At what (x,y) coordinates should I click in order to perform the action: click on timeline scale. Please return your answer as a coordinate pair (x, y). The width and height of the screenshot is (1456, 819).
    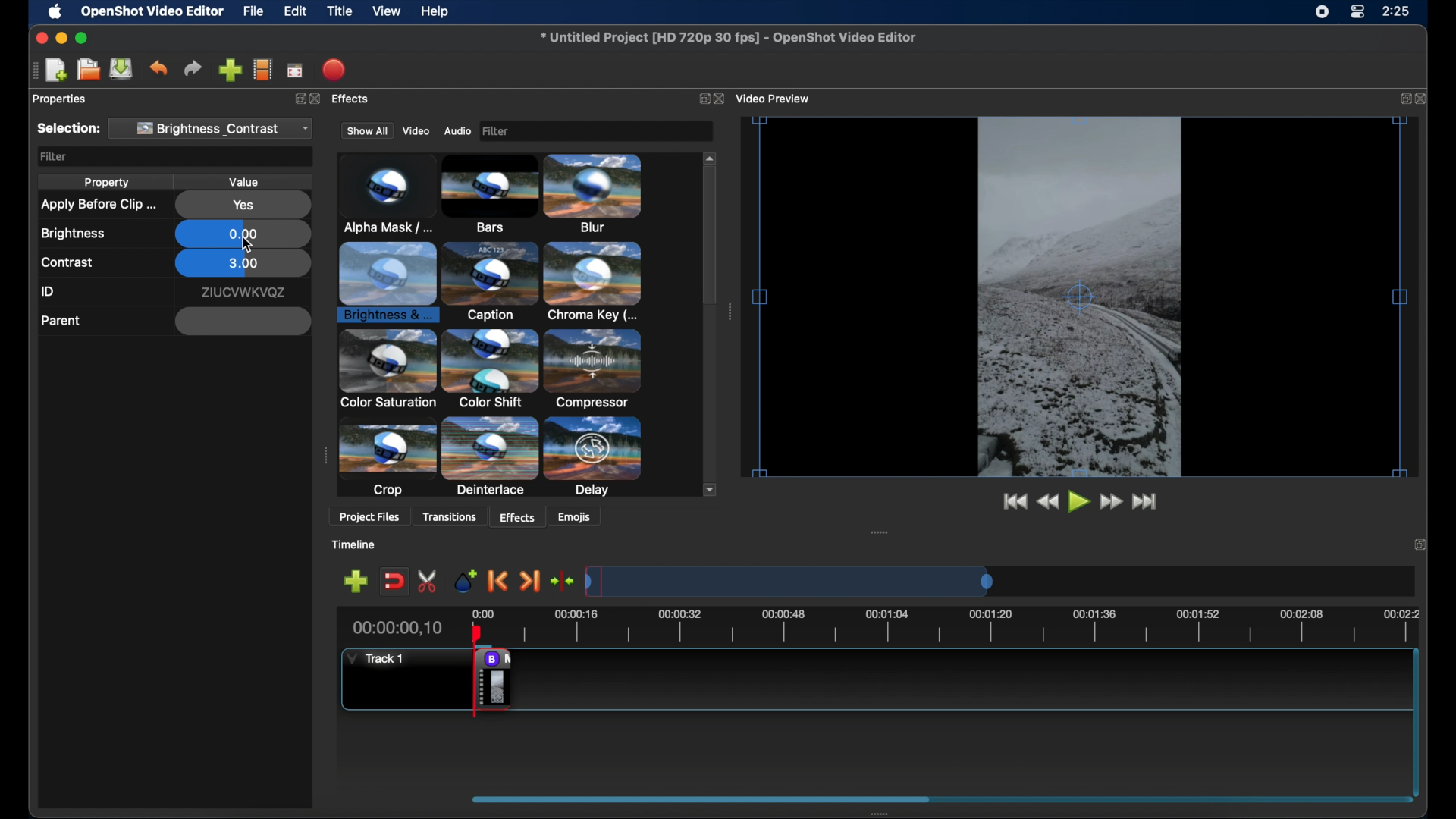
    Looking at the image, I should click on (952, 624).